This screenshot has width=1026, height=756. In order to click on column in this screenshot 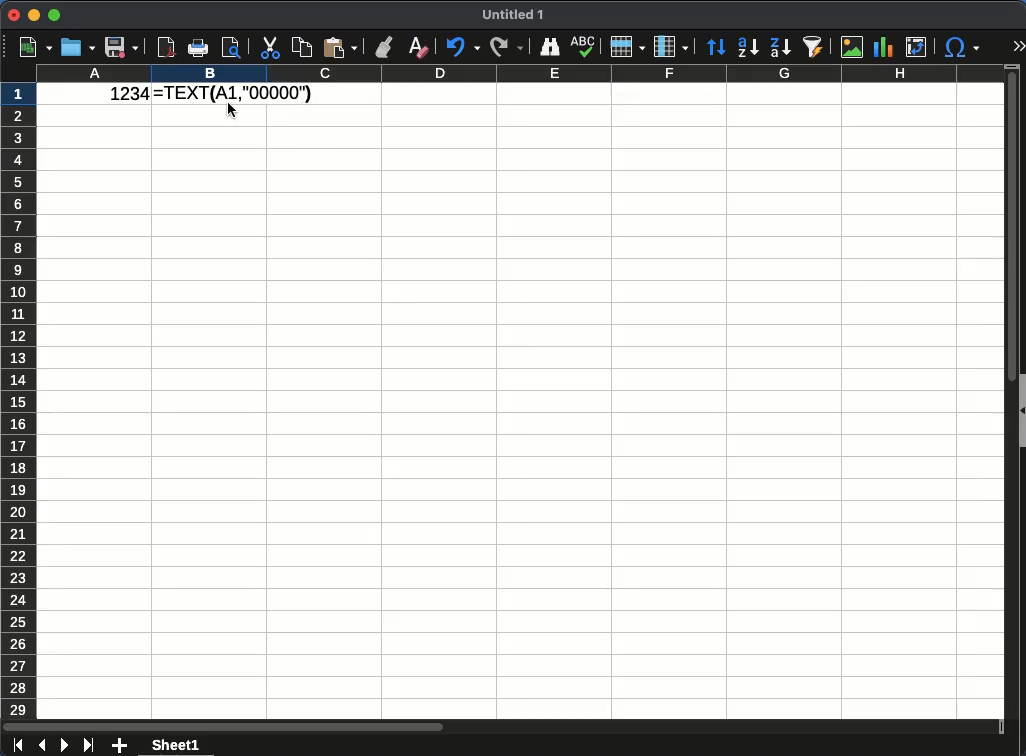, I will do `click(669, 47)`.